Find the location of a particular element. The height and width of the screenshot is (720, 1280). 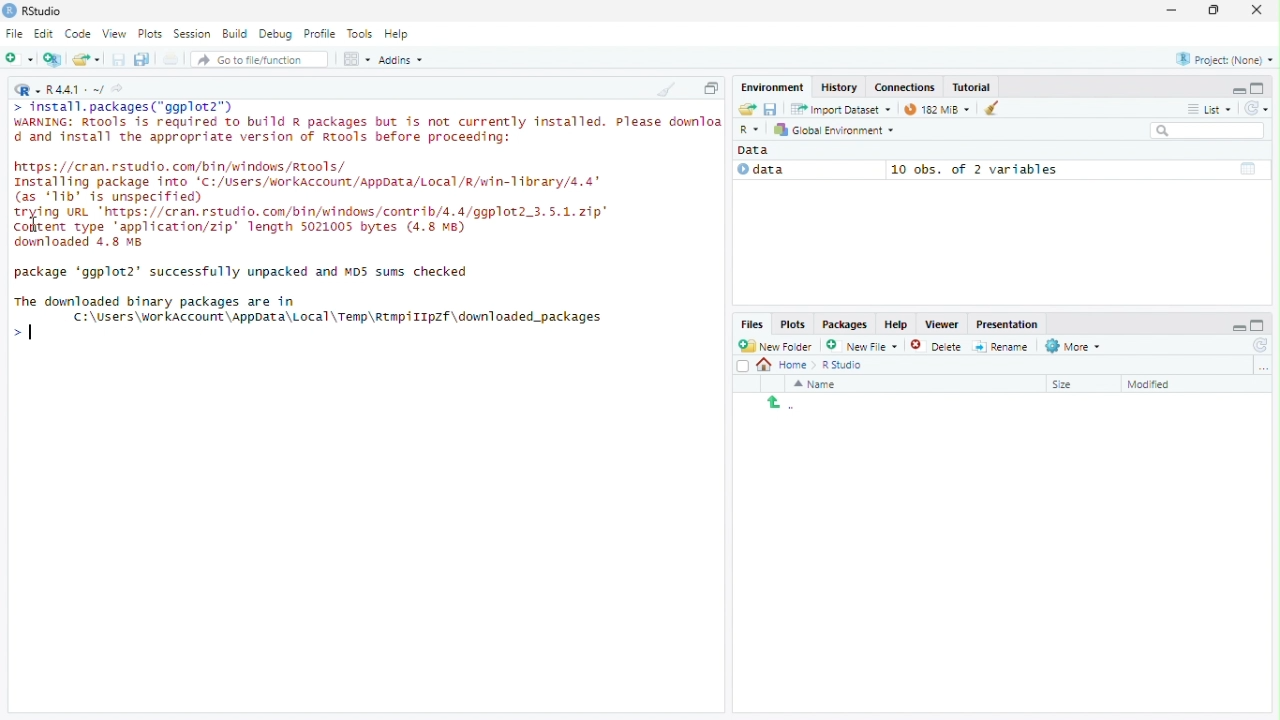

Data is located at coordinates (806, 170).